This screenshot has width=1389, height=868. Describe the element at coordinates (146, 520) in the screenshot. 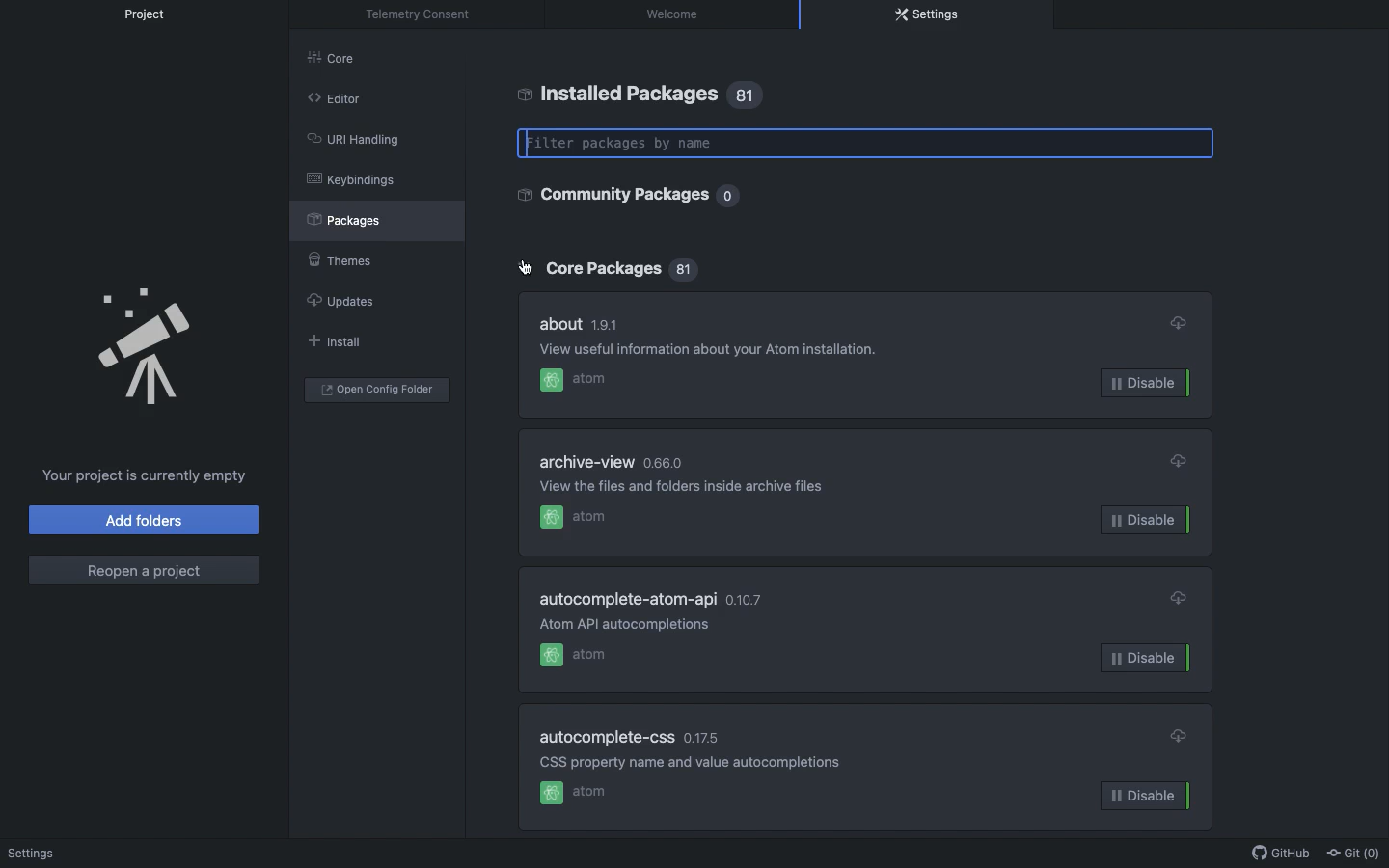

I see `Add folders` at that location.